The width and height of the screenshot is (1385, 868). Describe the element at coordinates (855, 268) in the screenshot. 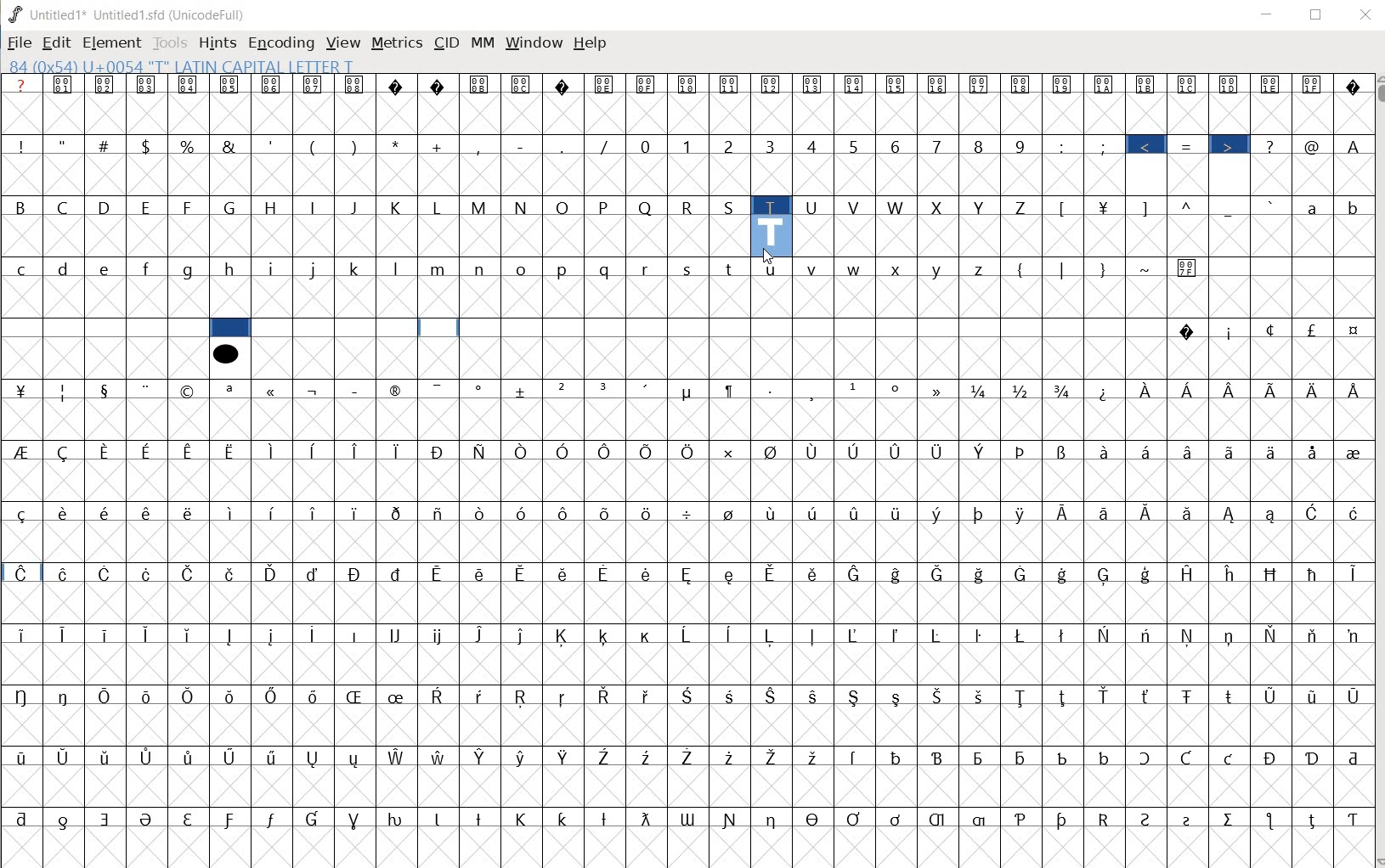

I see `w` at that location.